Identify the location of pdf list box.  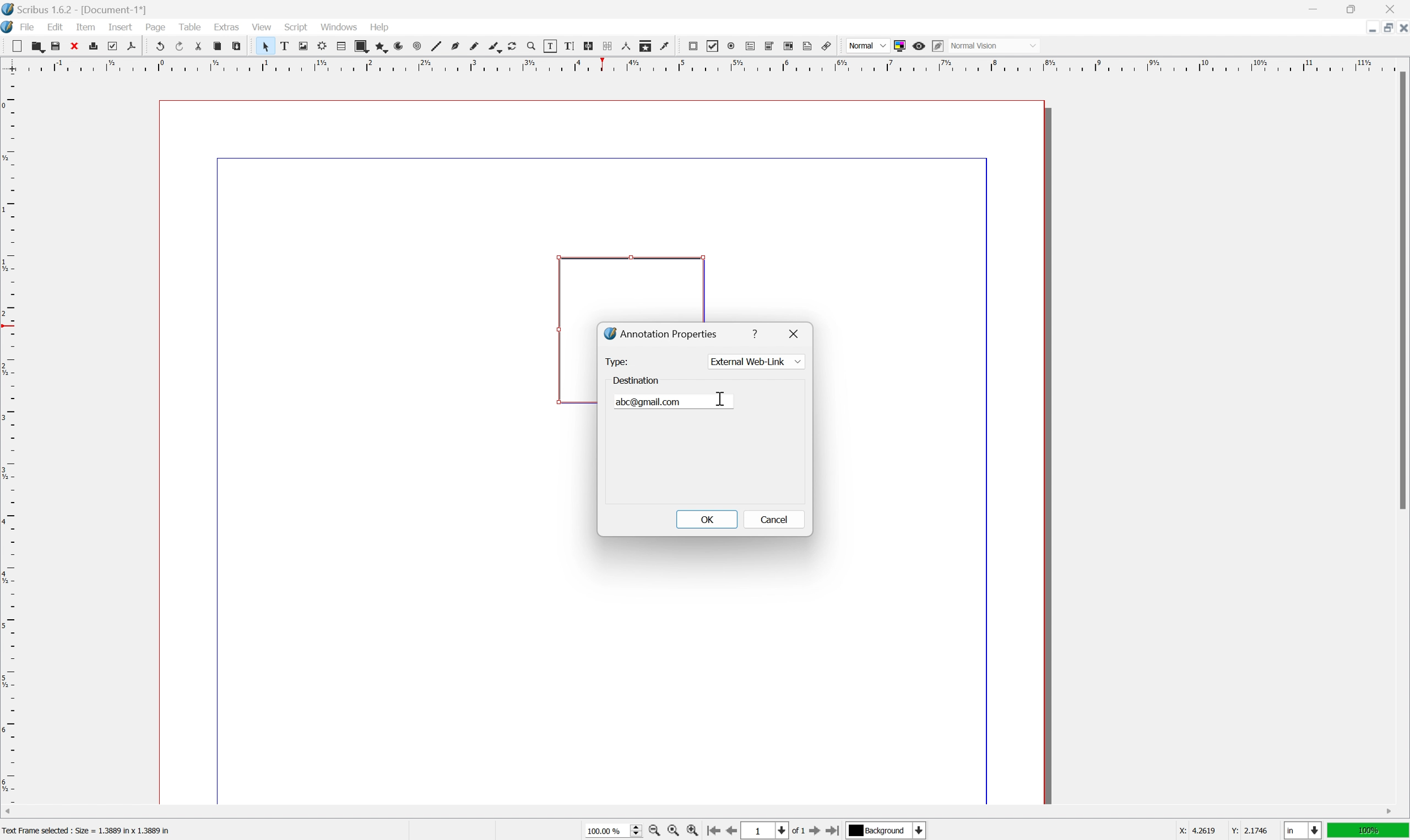
(790, 45).